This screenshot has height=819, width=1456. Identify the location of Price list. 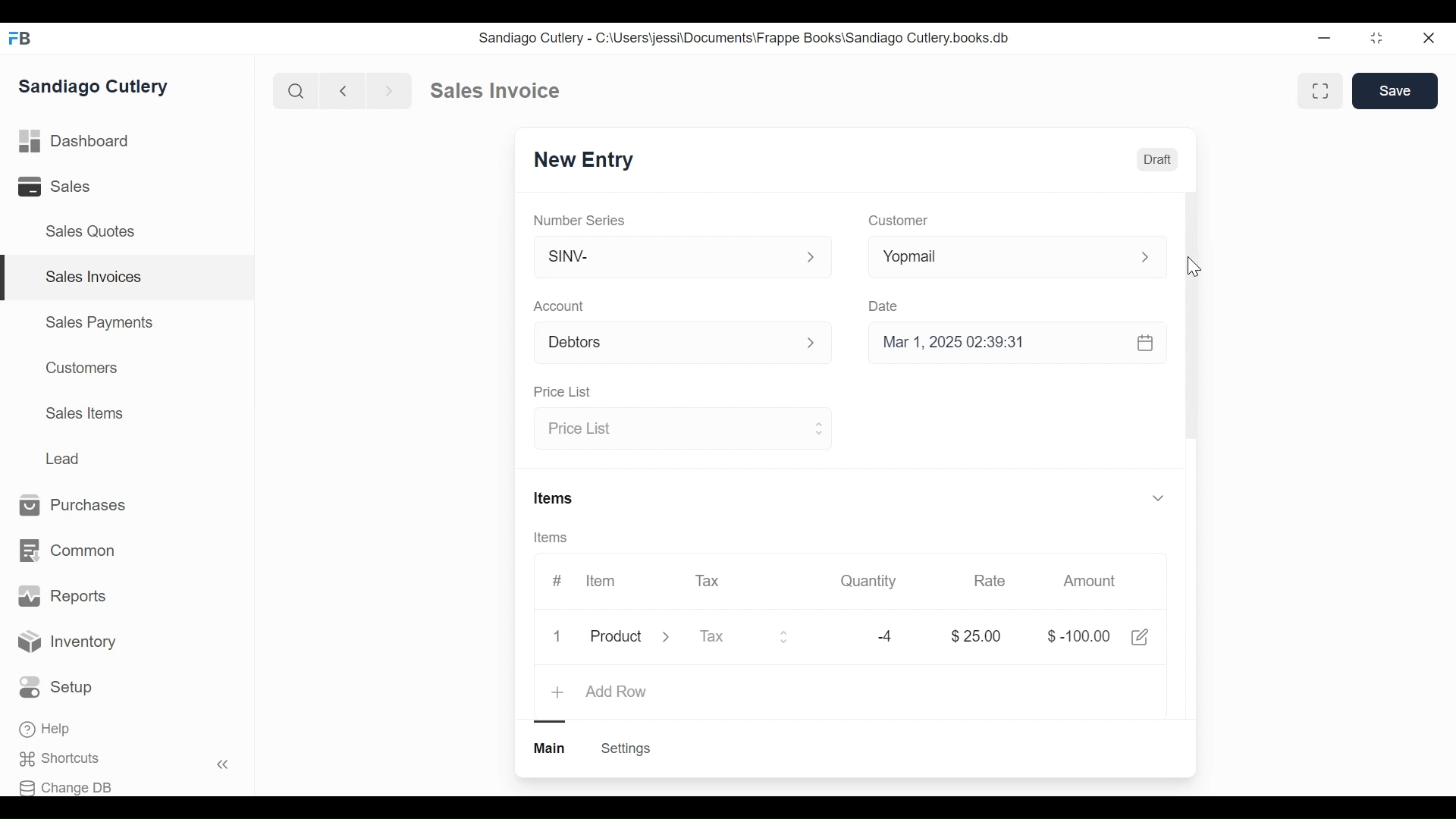
(563, 391).